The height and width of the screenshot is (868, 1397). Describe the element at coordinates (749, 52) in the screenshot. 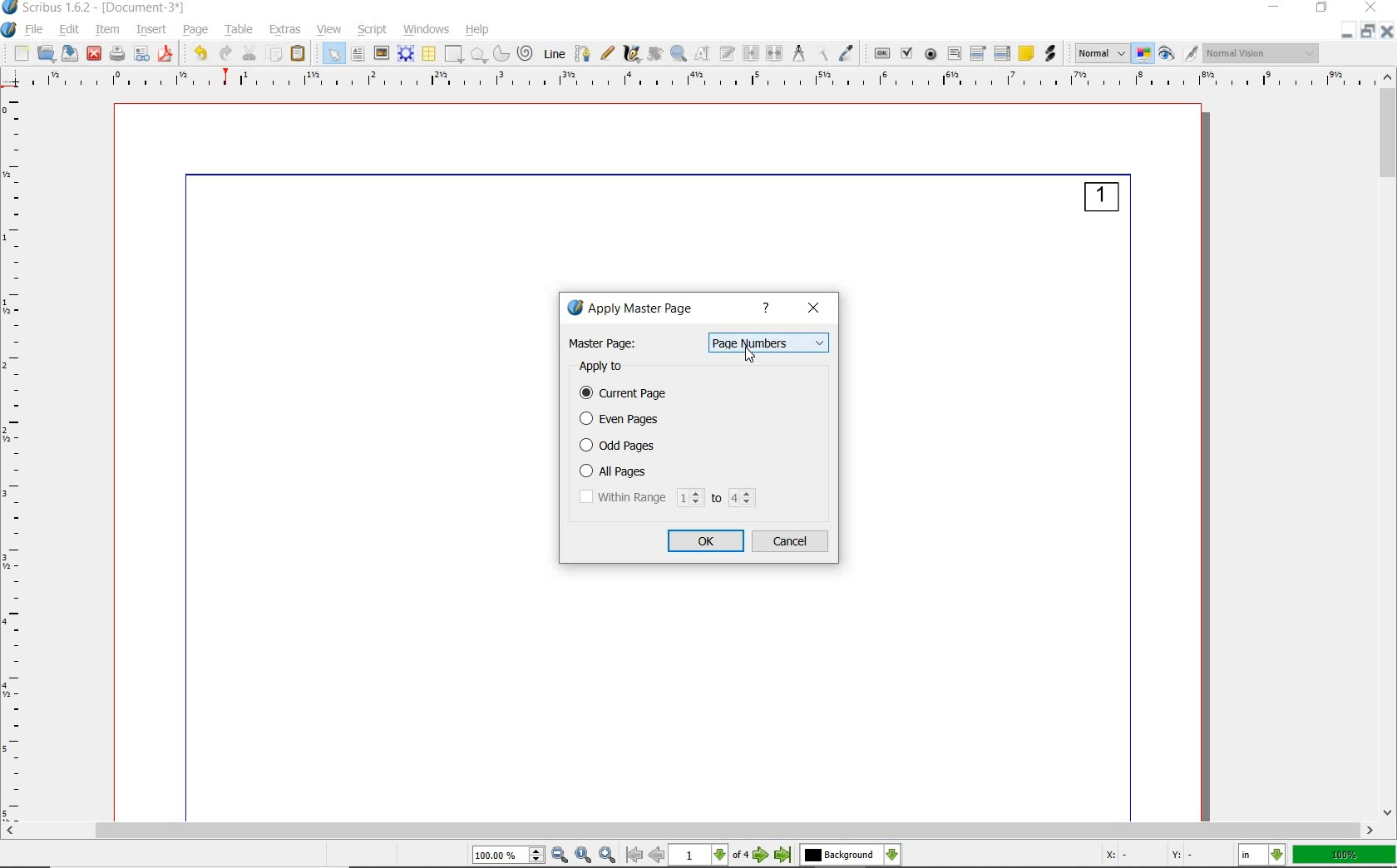

I see `link text frames` at that location.